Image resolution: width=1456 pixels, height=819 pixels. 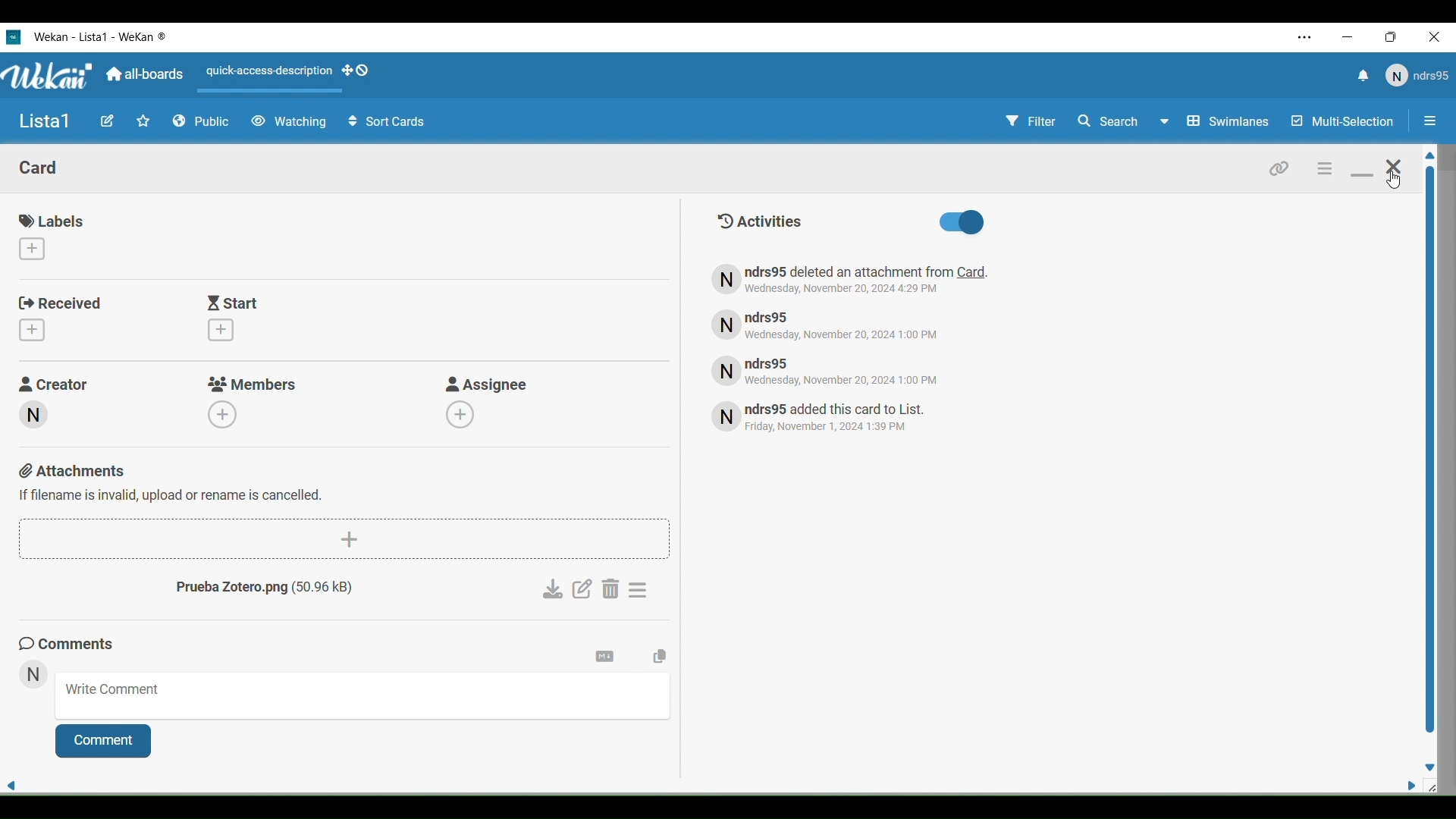 I want to click on Watching, so click(x=288, y=122).